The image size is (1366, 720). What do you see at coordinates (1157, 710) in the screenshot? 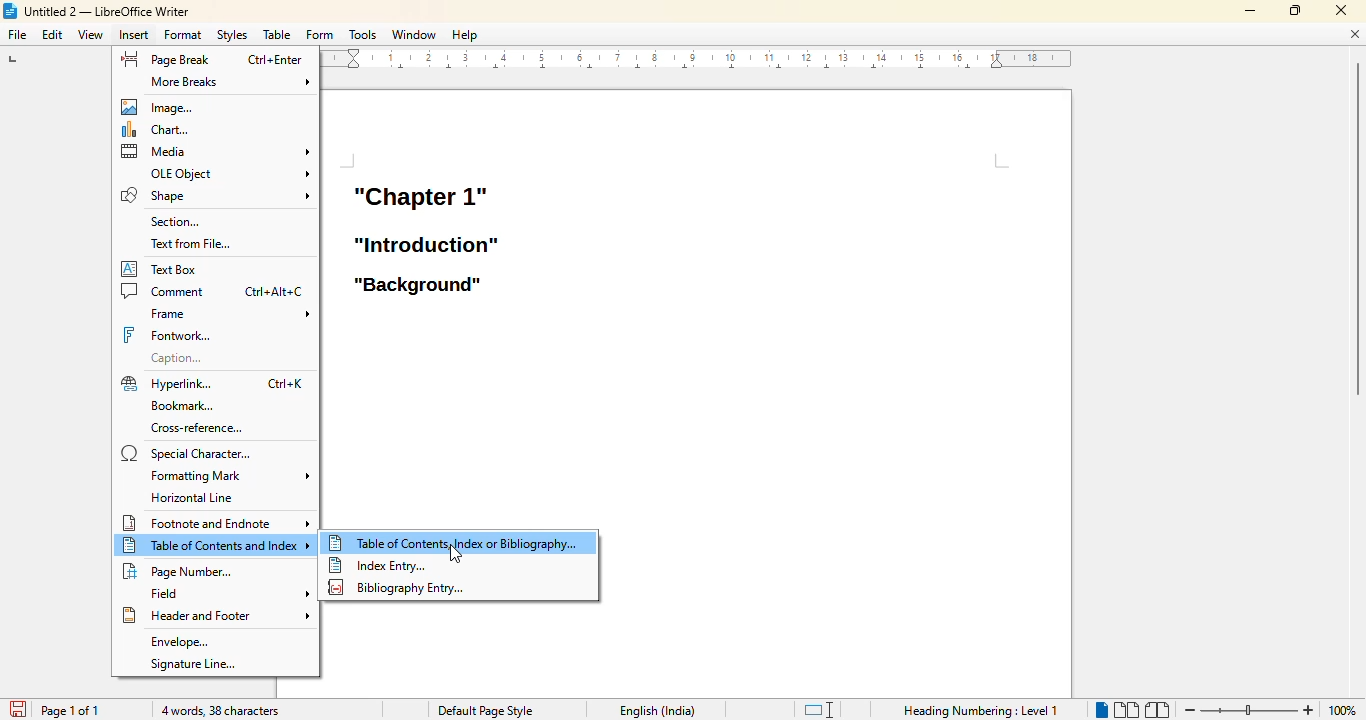
I see `book view` at bounding box center [1157, 710].